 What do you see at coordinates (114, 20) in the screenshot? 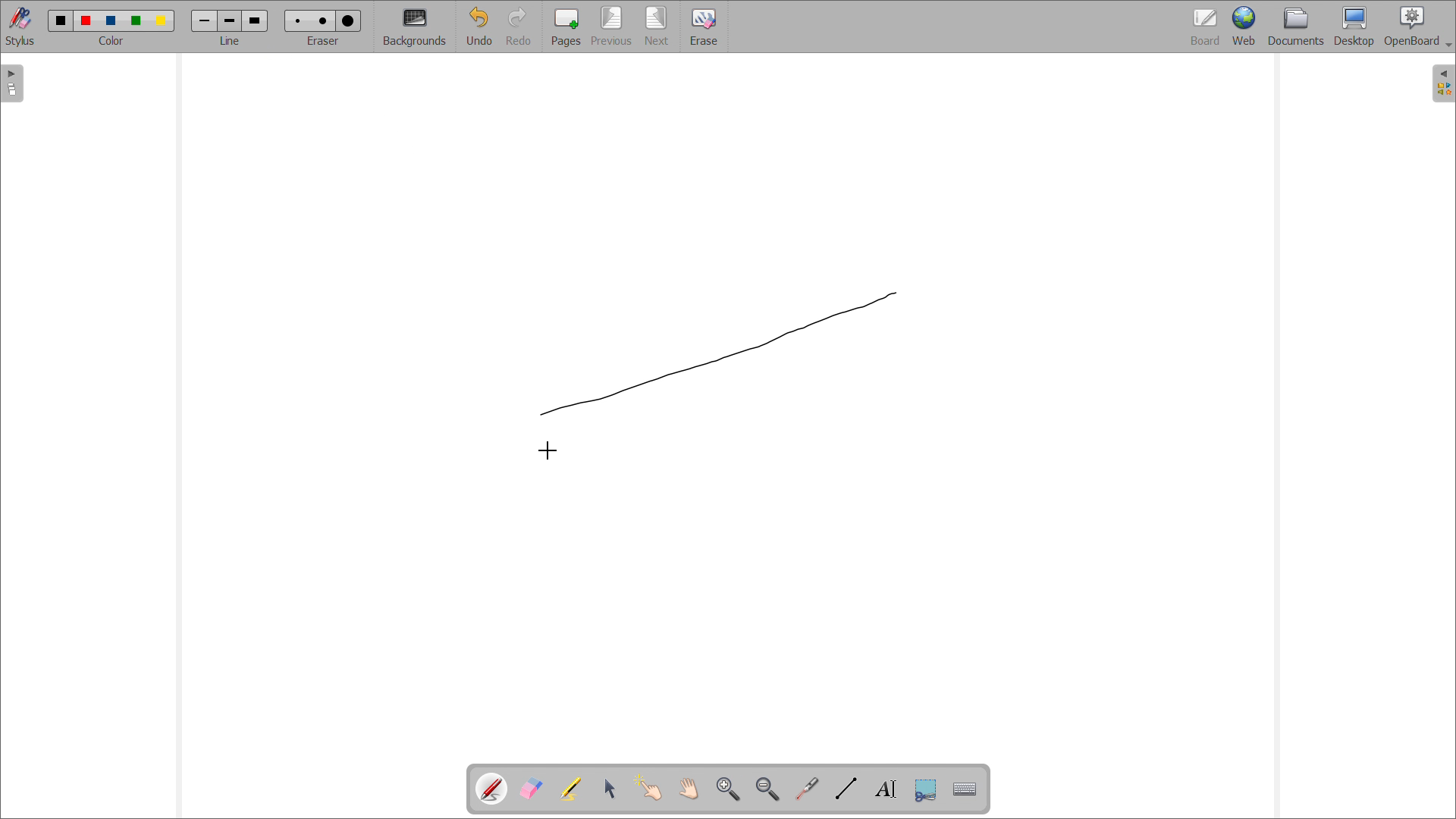
I see `color` at bounding box center [114, 20].